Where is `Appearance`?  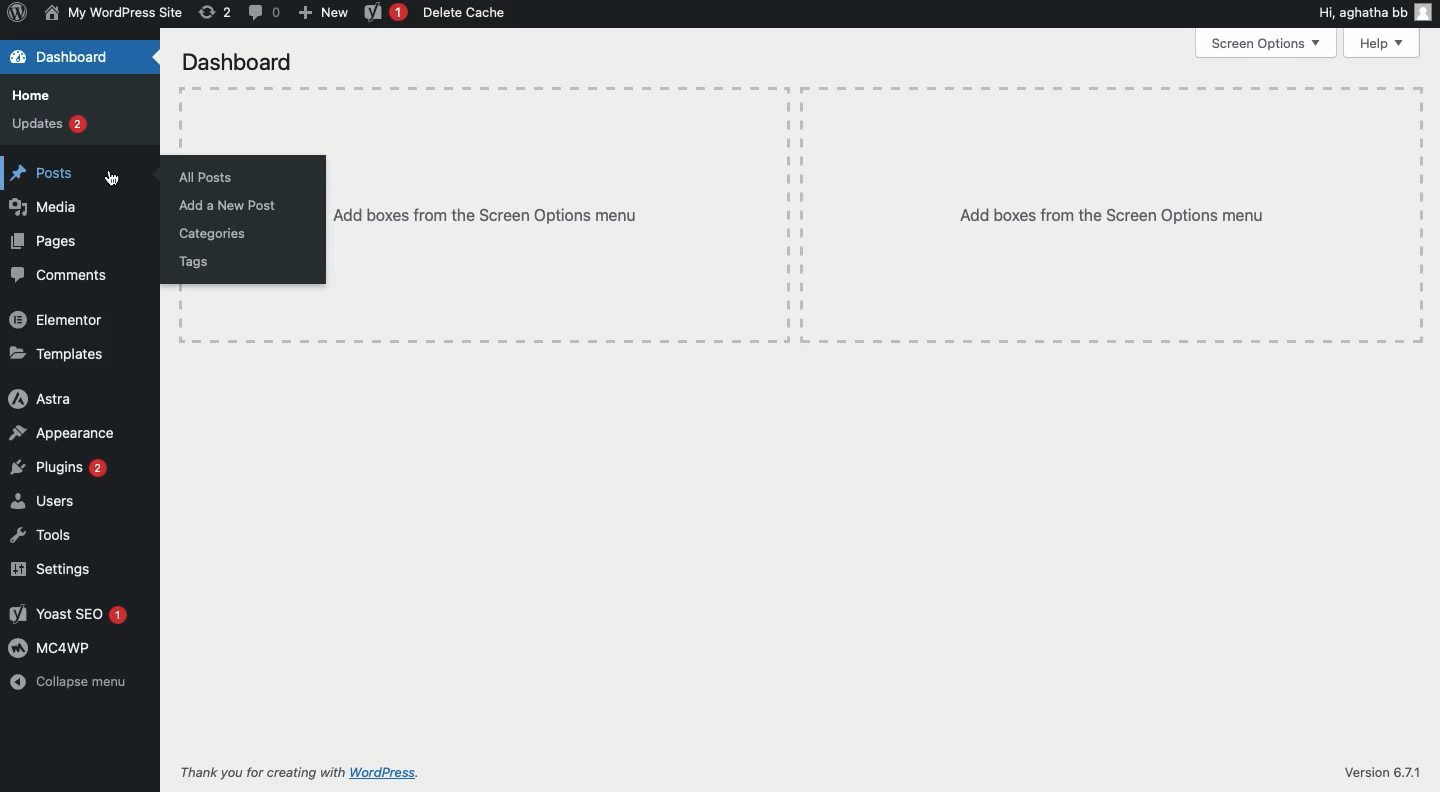 Appearance is located at coordinates (65, 431).